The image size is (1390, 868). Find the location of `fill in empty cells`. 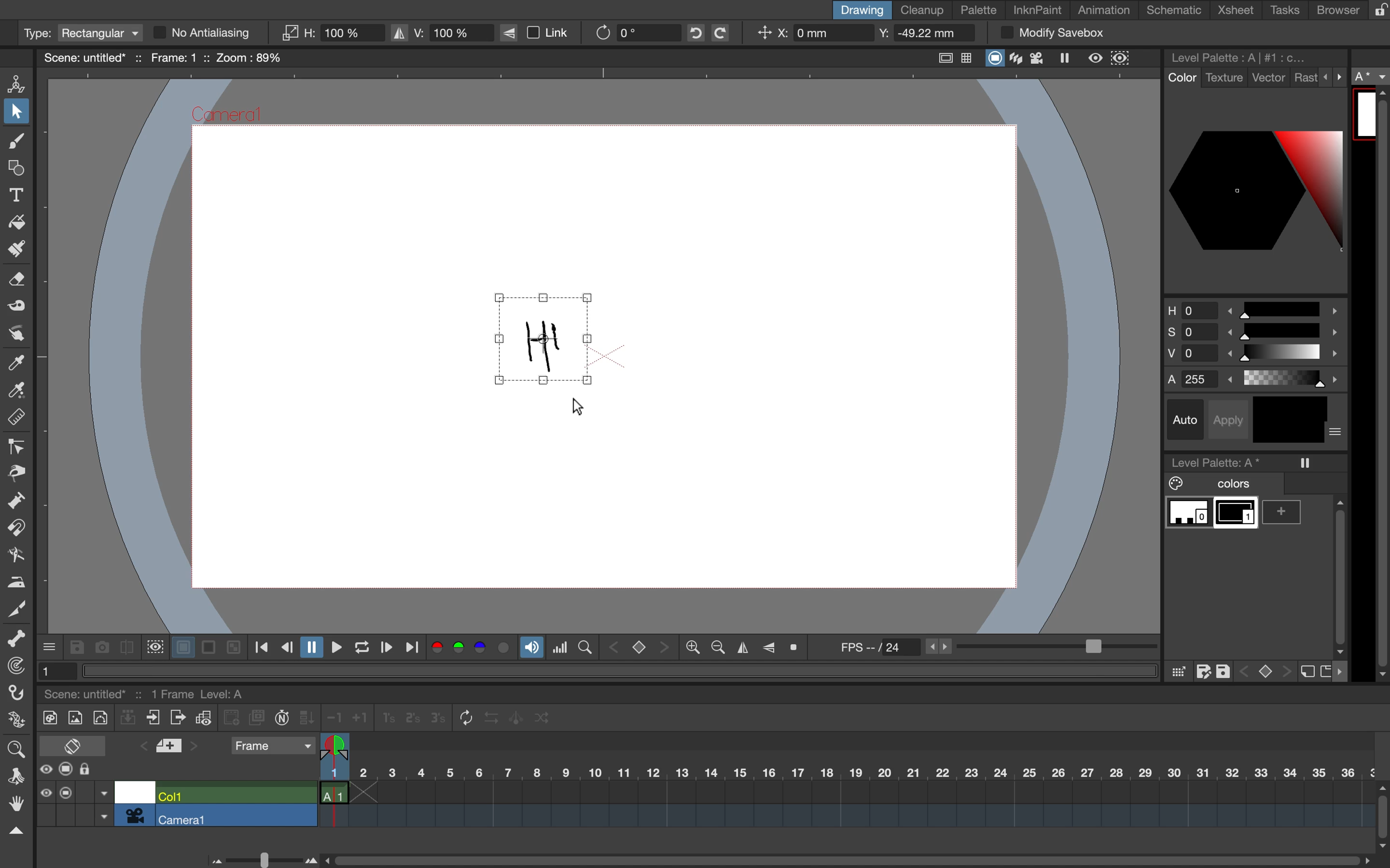

fill in empty cells is located at coordinates (308, 718).